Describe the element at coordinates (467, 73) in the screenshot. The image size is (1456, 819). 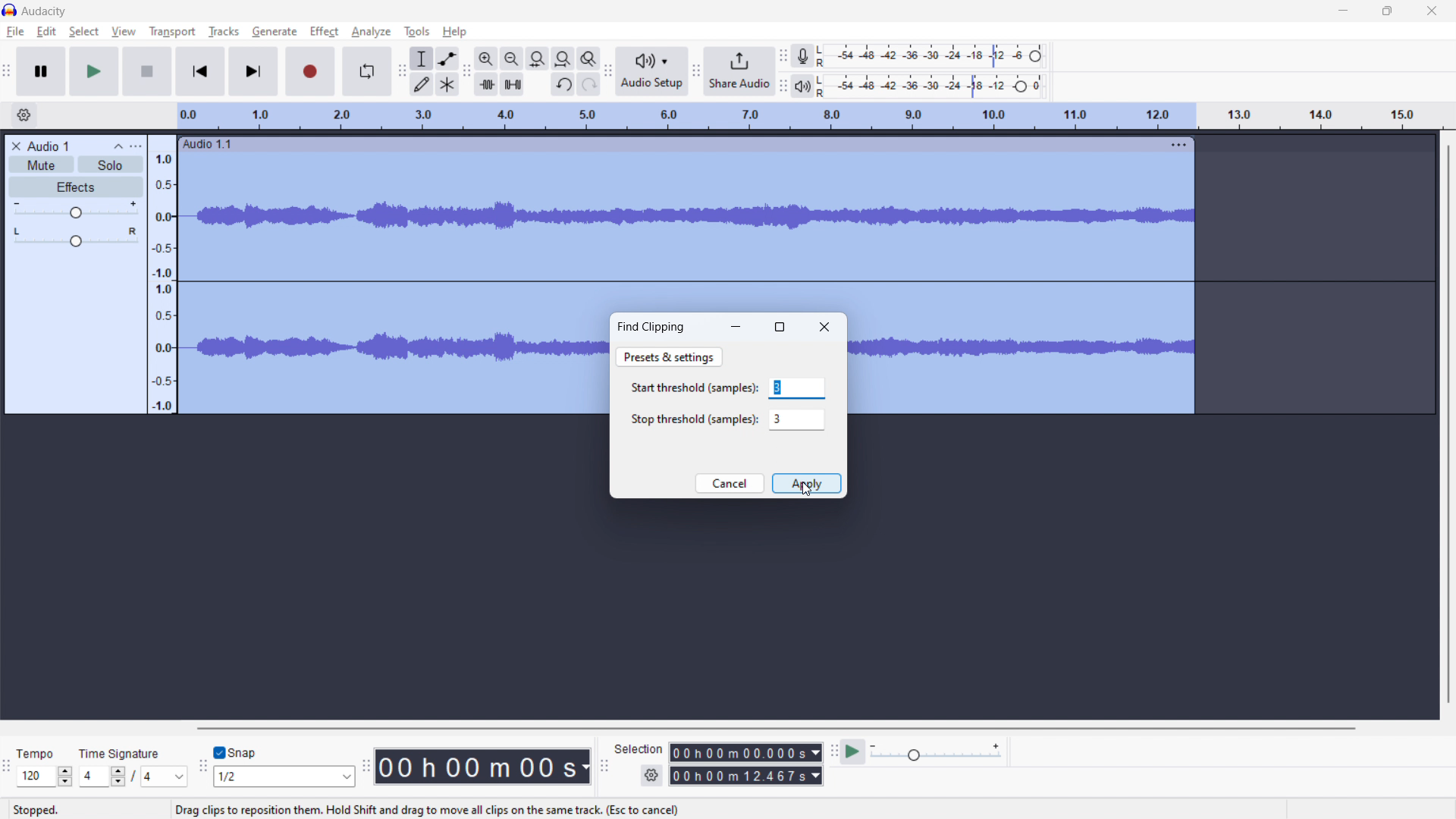
I see `edit toolbar` at that location.